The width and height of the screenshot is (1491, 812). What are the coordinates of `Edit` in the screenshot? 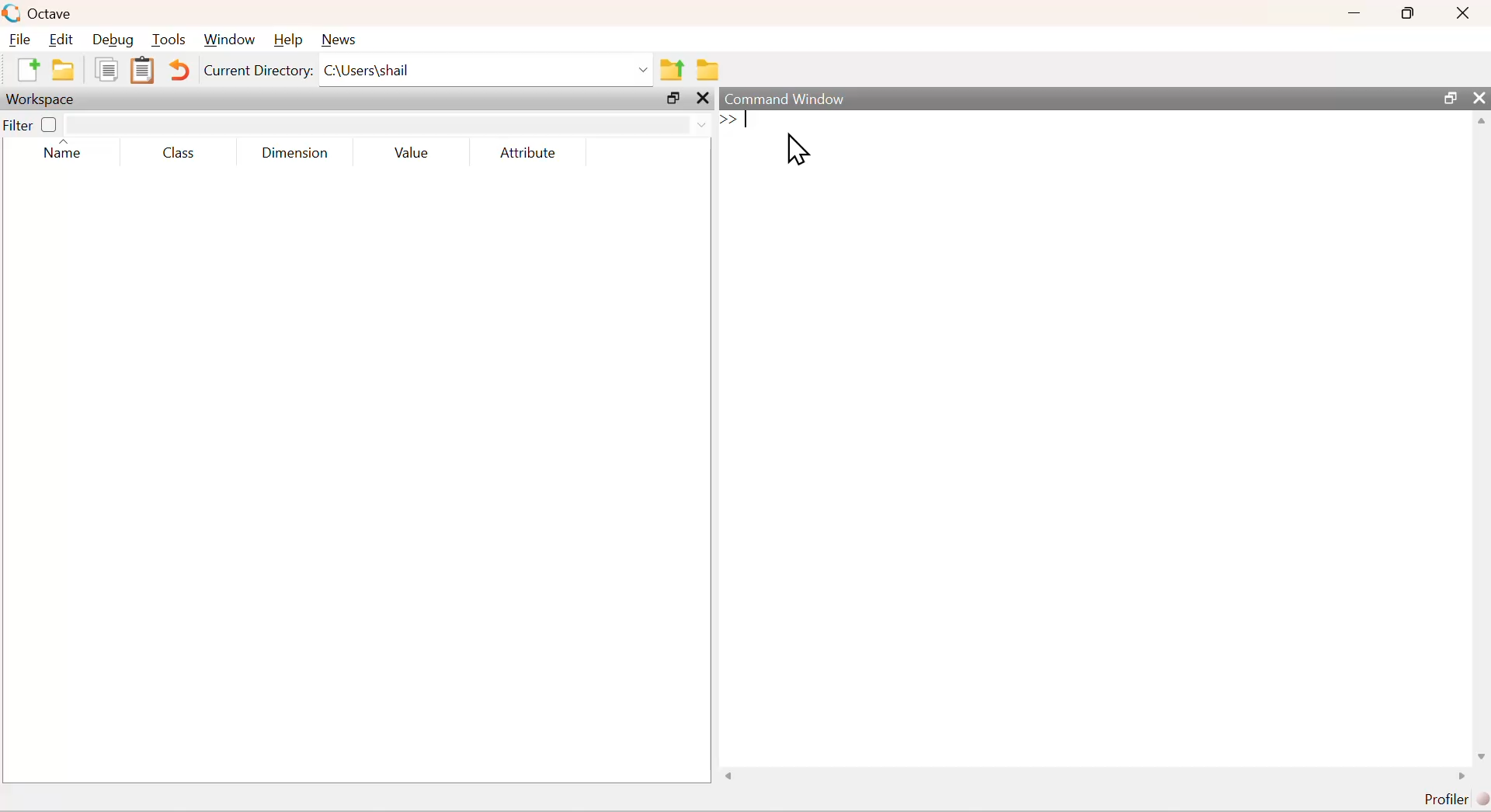 It's located at (64, 41).